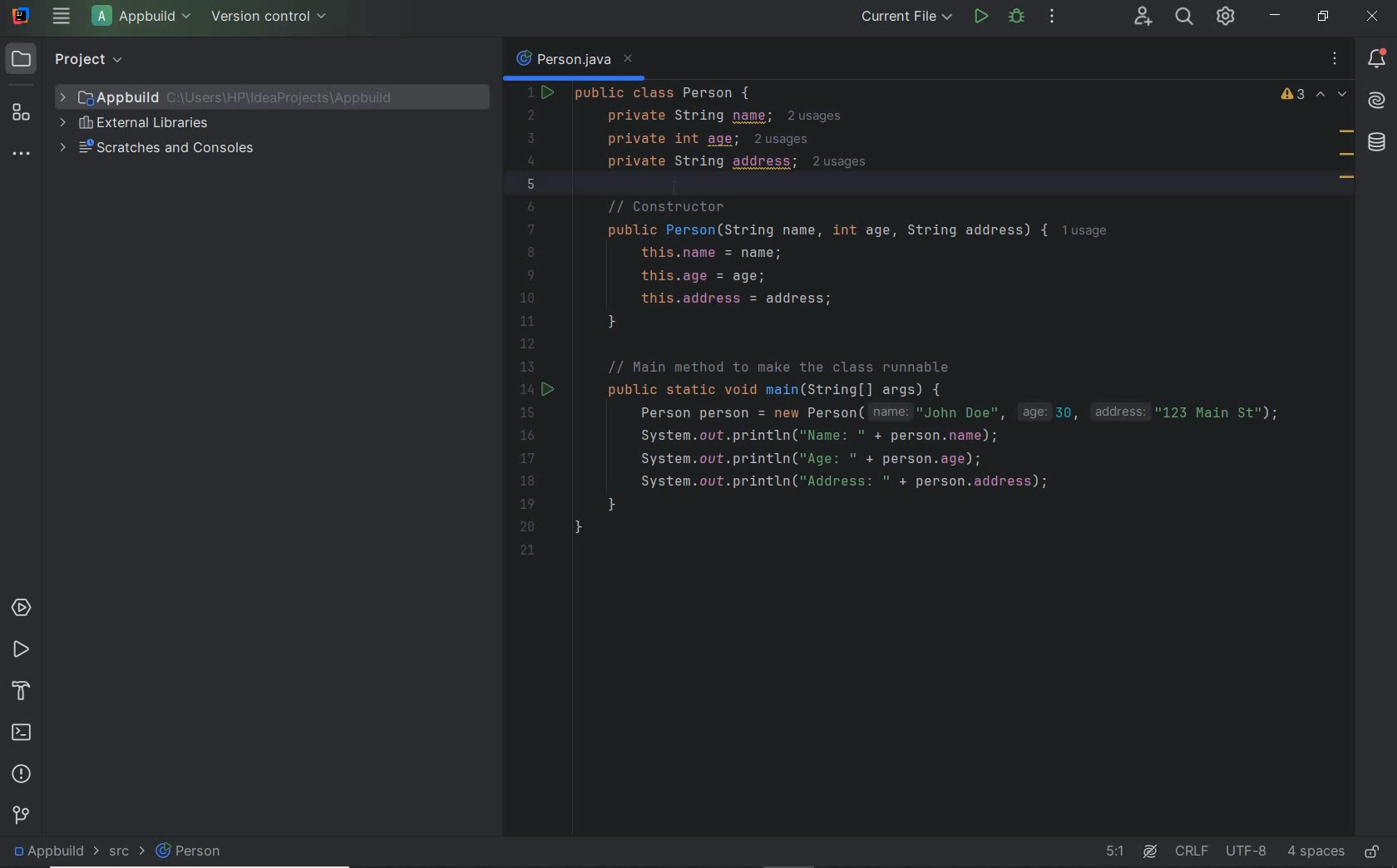 This screenshot has width=1397, height=868. What do you see at coordinates (1275, 15) in the screenshot?
I see `minimize` at bounding box center [1275, 15].